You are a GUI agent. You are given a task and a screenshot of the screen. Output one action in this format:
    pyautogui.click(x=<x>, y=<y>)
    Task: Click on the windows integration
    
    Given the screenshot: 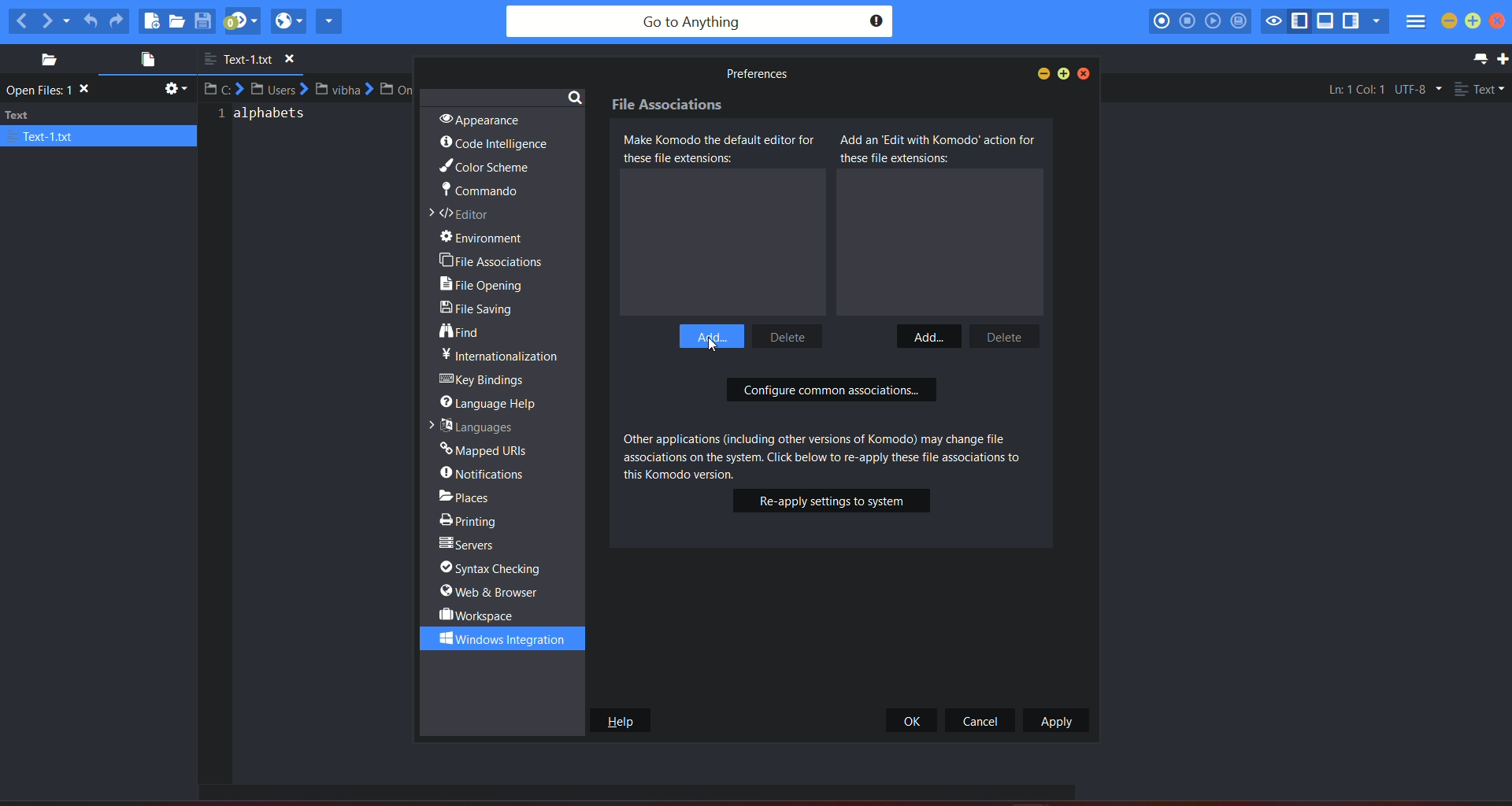 What is the action you would take?
    pyautogui.click(x=495, y=638)
    